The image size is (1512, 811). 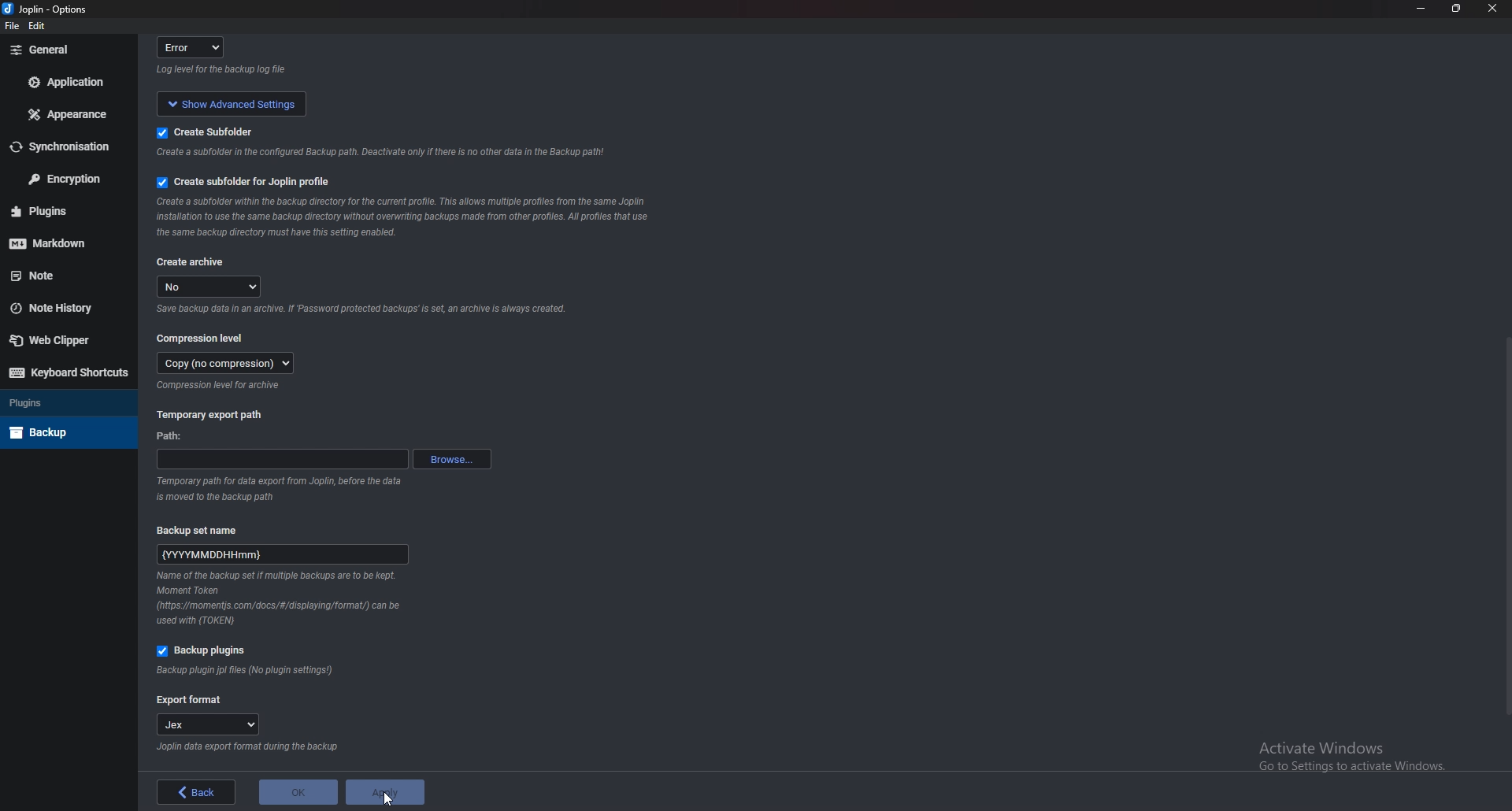 I want to click on Scroll bar, so click(x=1503, y=525).